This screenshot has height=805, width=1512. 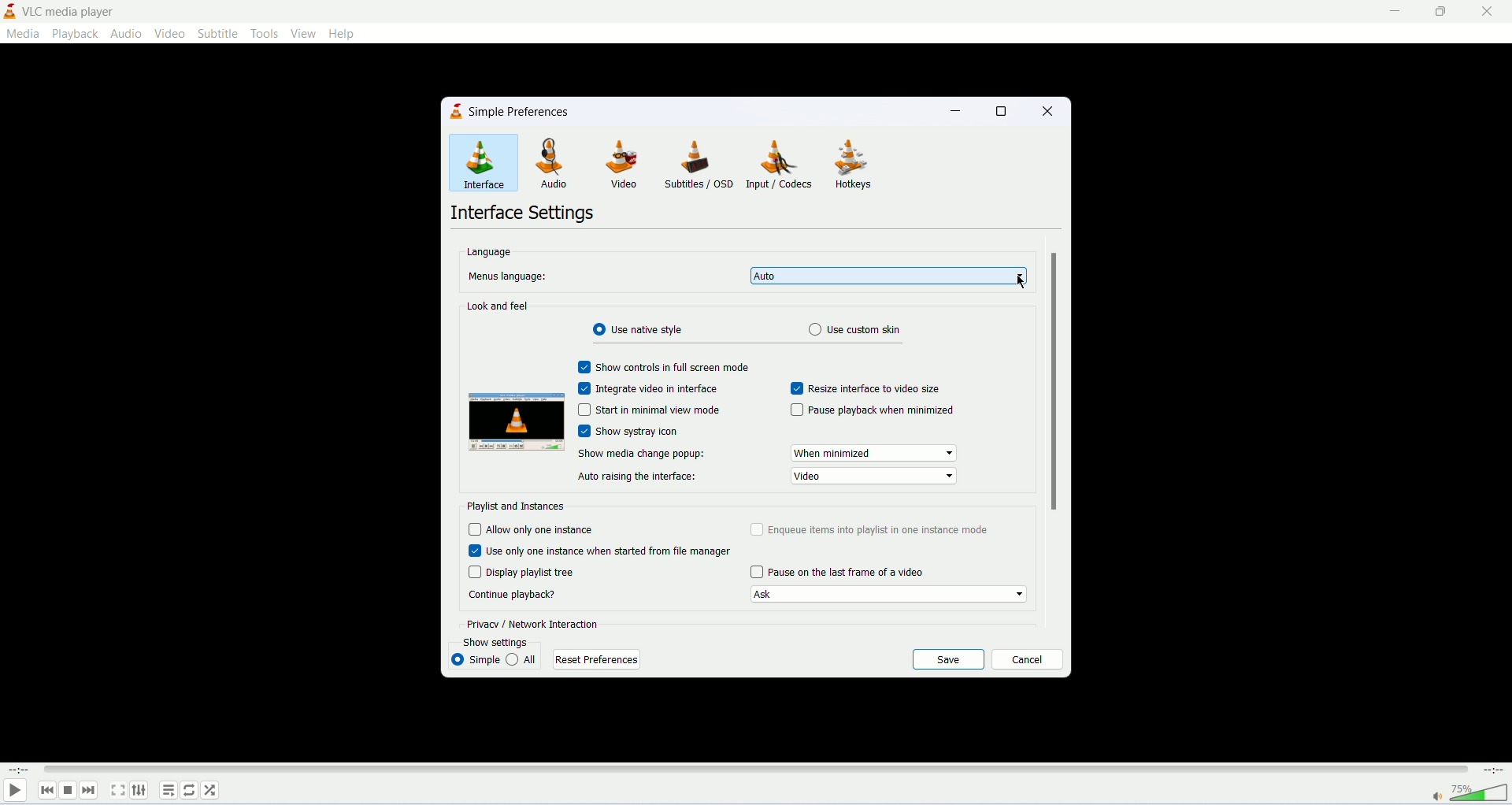 What do you see at coordinates (1480, 792) in the screenshot?
I see `volume bar` at bounding box center [1480, 792].